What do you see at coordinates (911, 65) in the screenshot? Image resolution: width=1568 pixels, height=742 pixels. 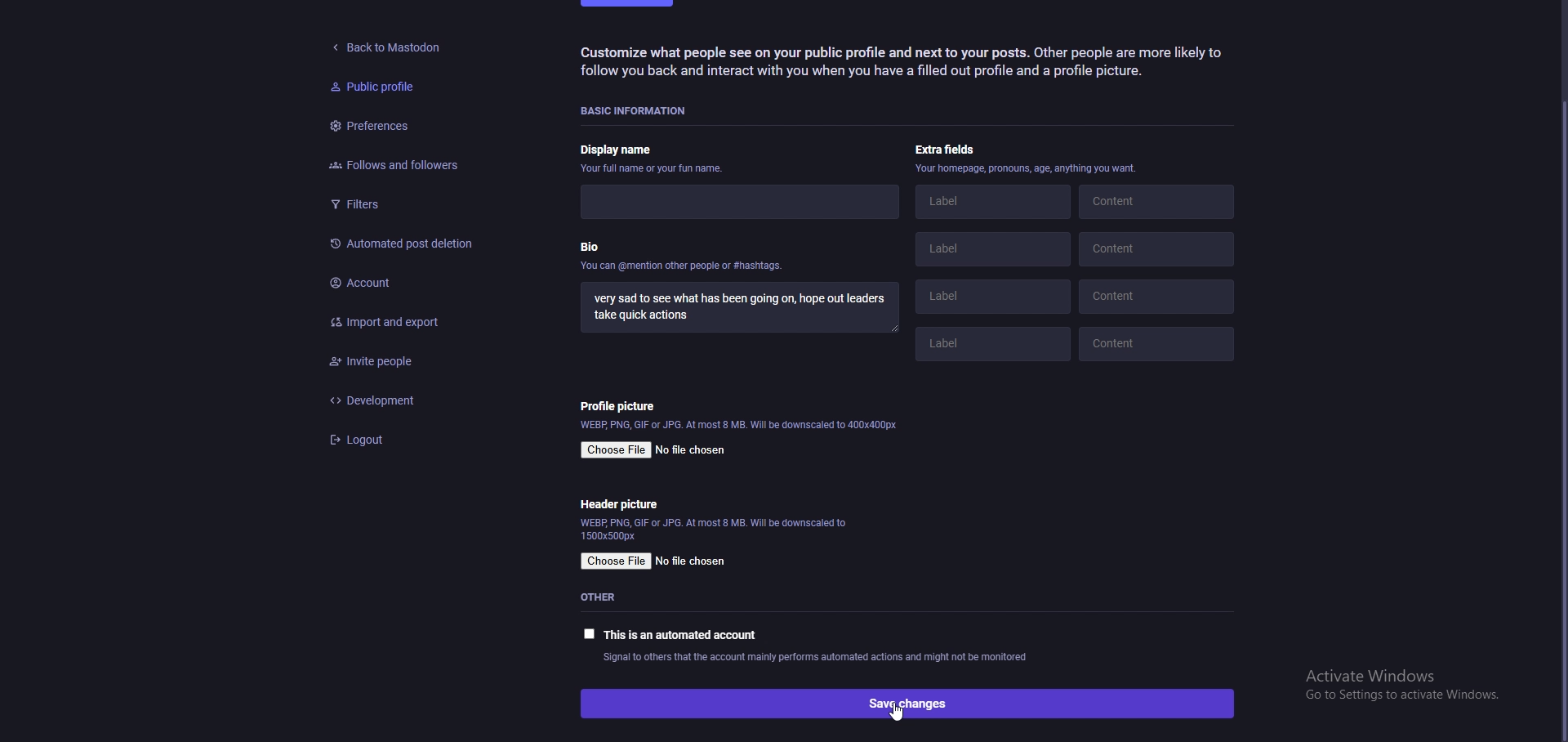 I see `‘Customize what people see on your public profile and next to your posts. Other people are more likely to
follow you back and interact with you when you have a filled out profile and a profile picture.` at bounding box center [911, 65].